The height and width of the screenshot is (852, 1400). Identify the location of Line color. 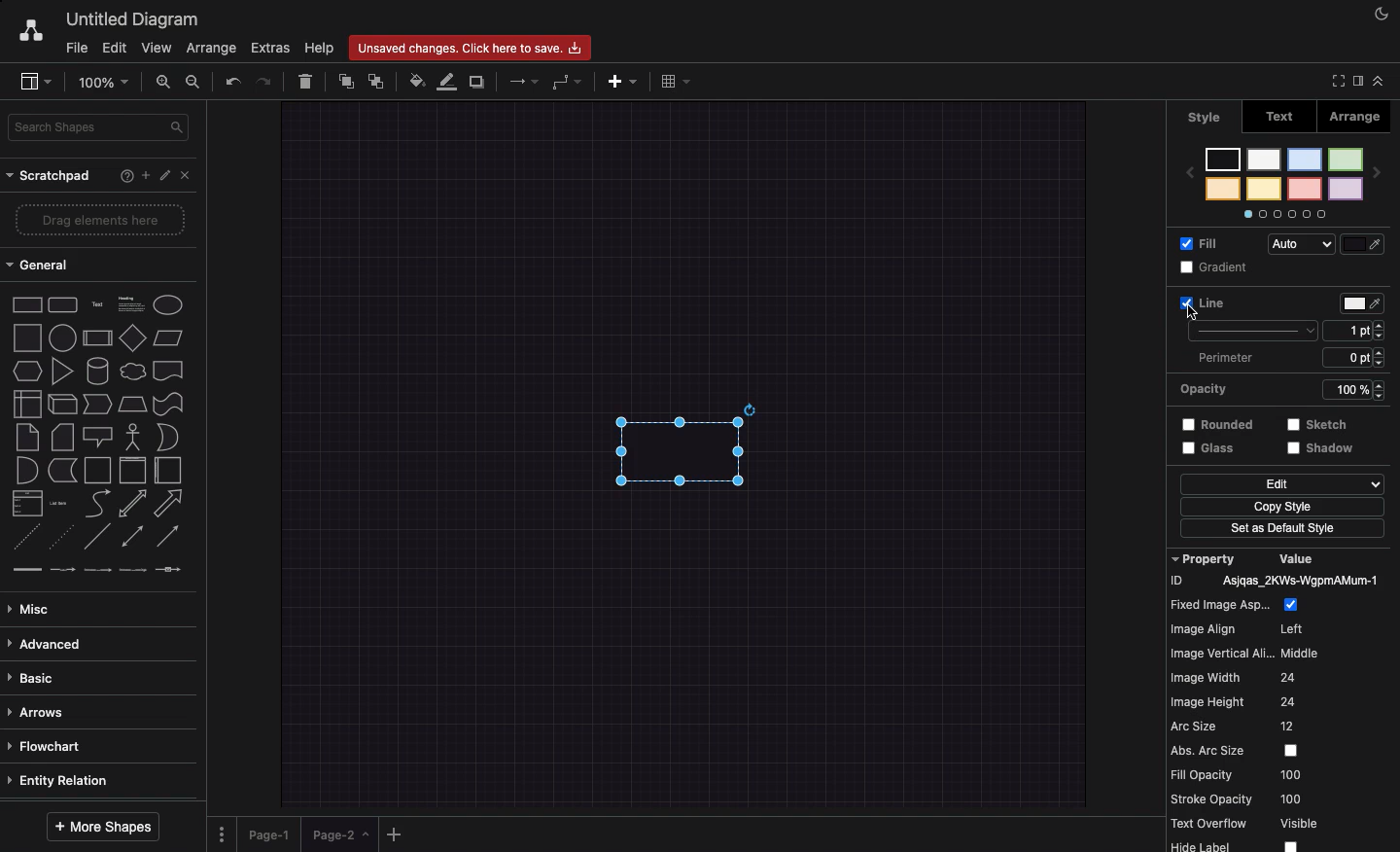
(450, 81).